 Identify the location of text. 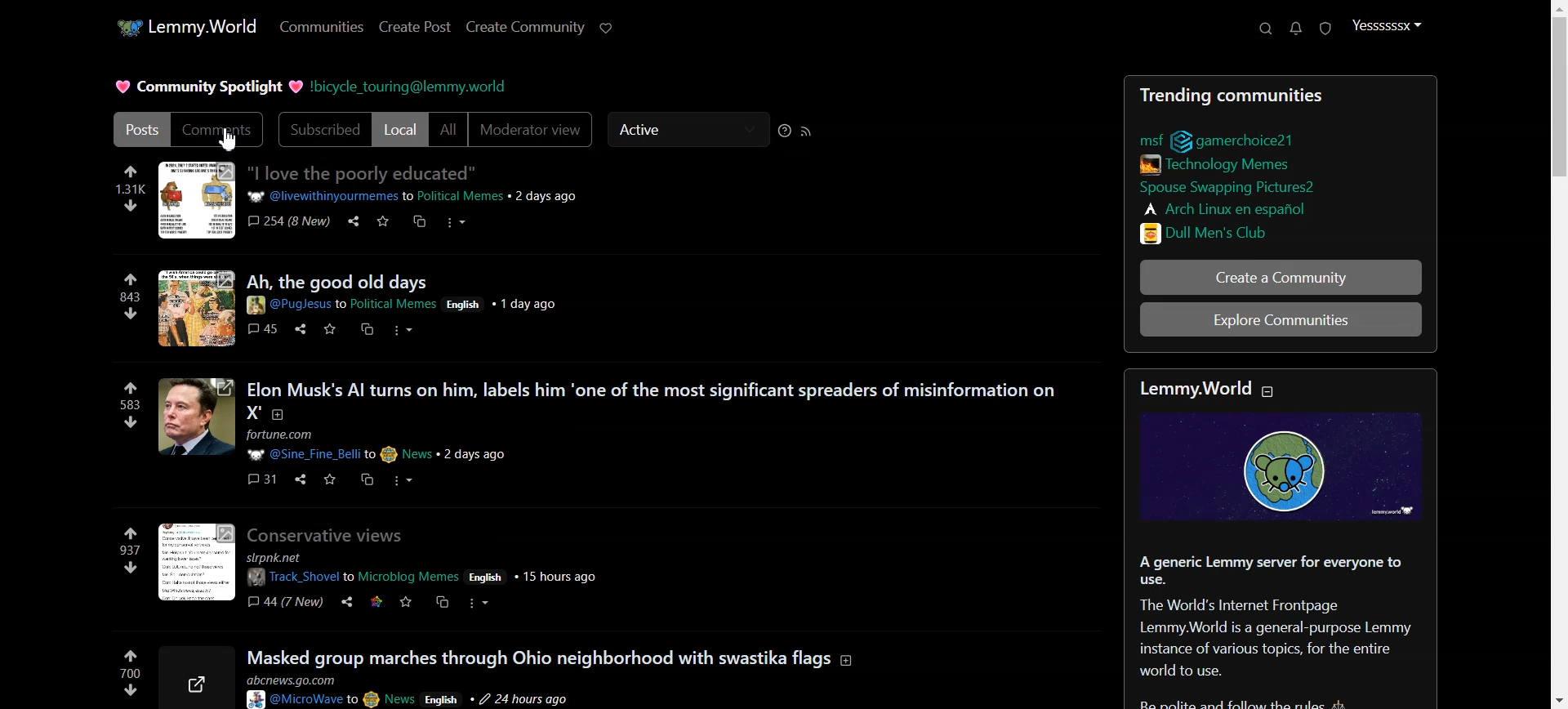
(1208, 387).